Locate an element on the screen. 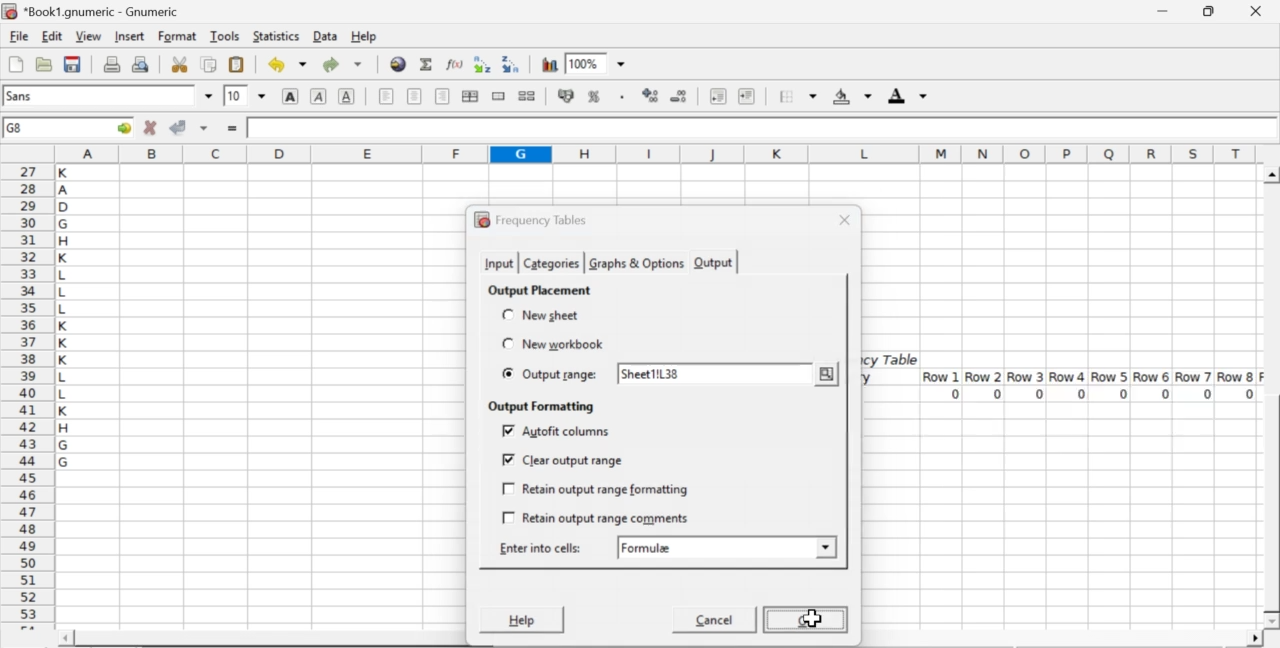 The image size is (1280, 648). split merged ranges of cells is located at coordinates (526, 95).